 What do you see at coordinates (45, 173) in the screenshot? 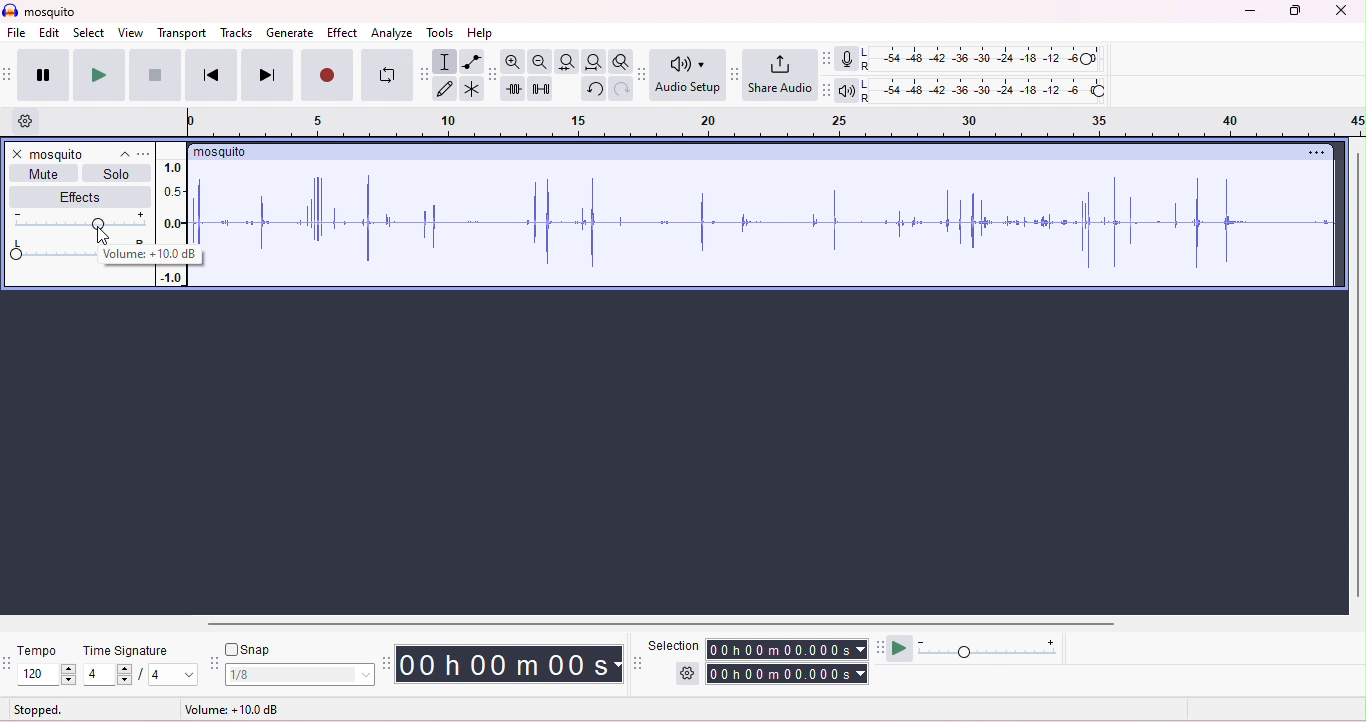
I see `mute` at bounding box center [45, 173].